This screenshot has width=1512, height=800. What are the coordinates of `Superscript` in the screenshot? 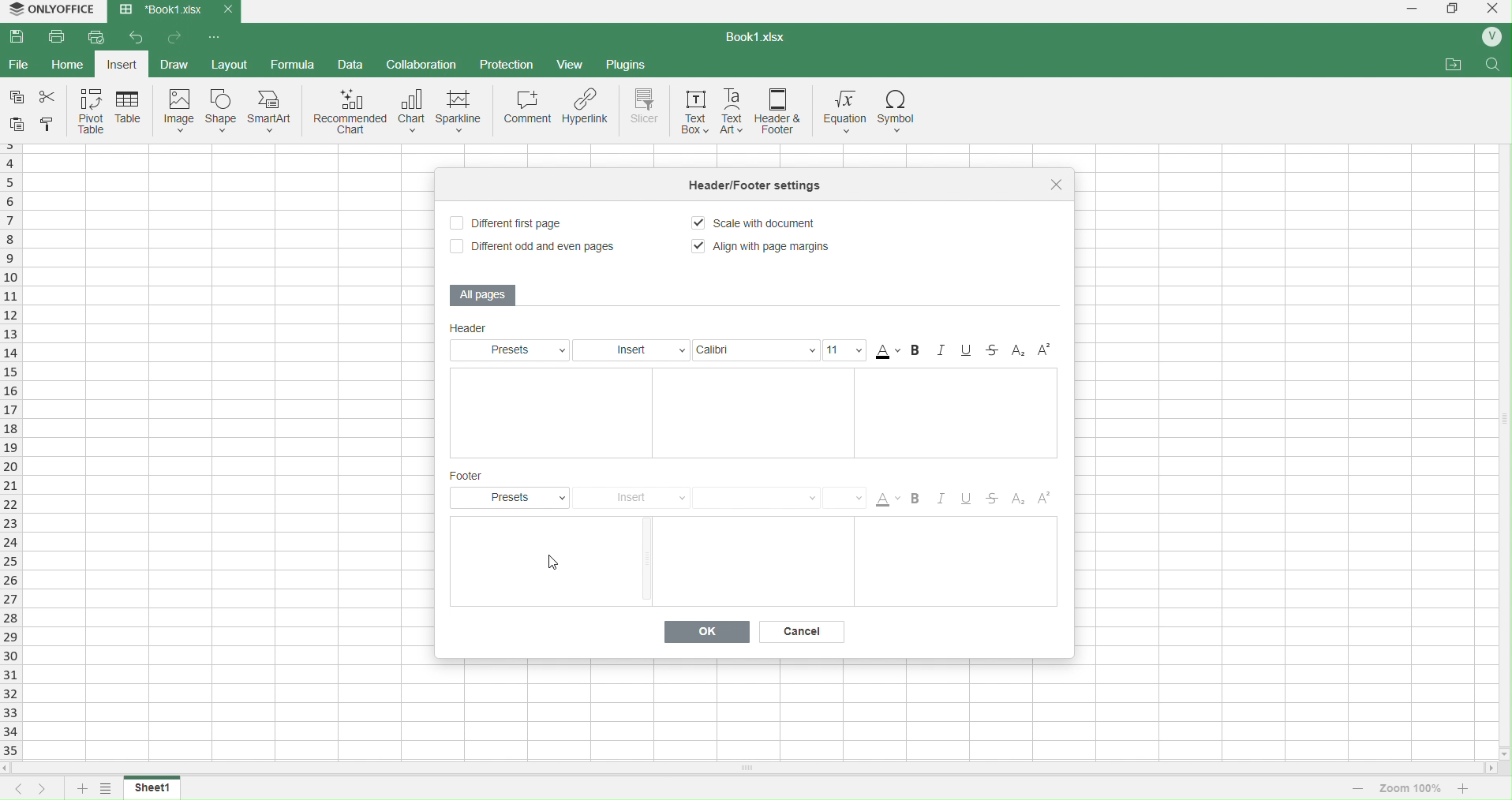 It's located at (1045, 499).